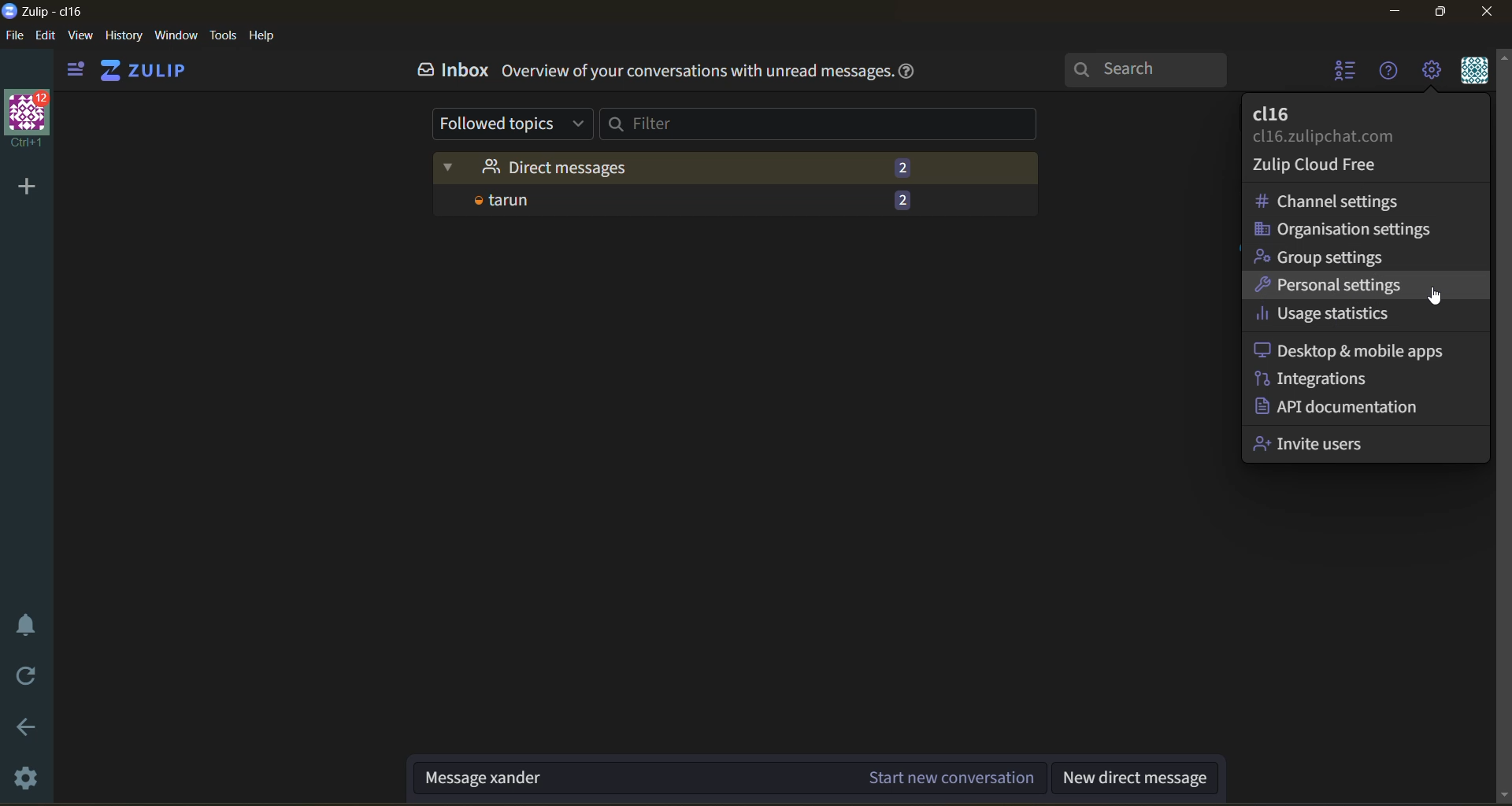  Describe the element at coordinates (262, 36) in the screenshot. I see `help` at that location.